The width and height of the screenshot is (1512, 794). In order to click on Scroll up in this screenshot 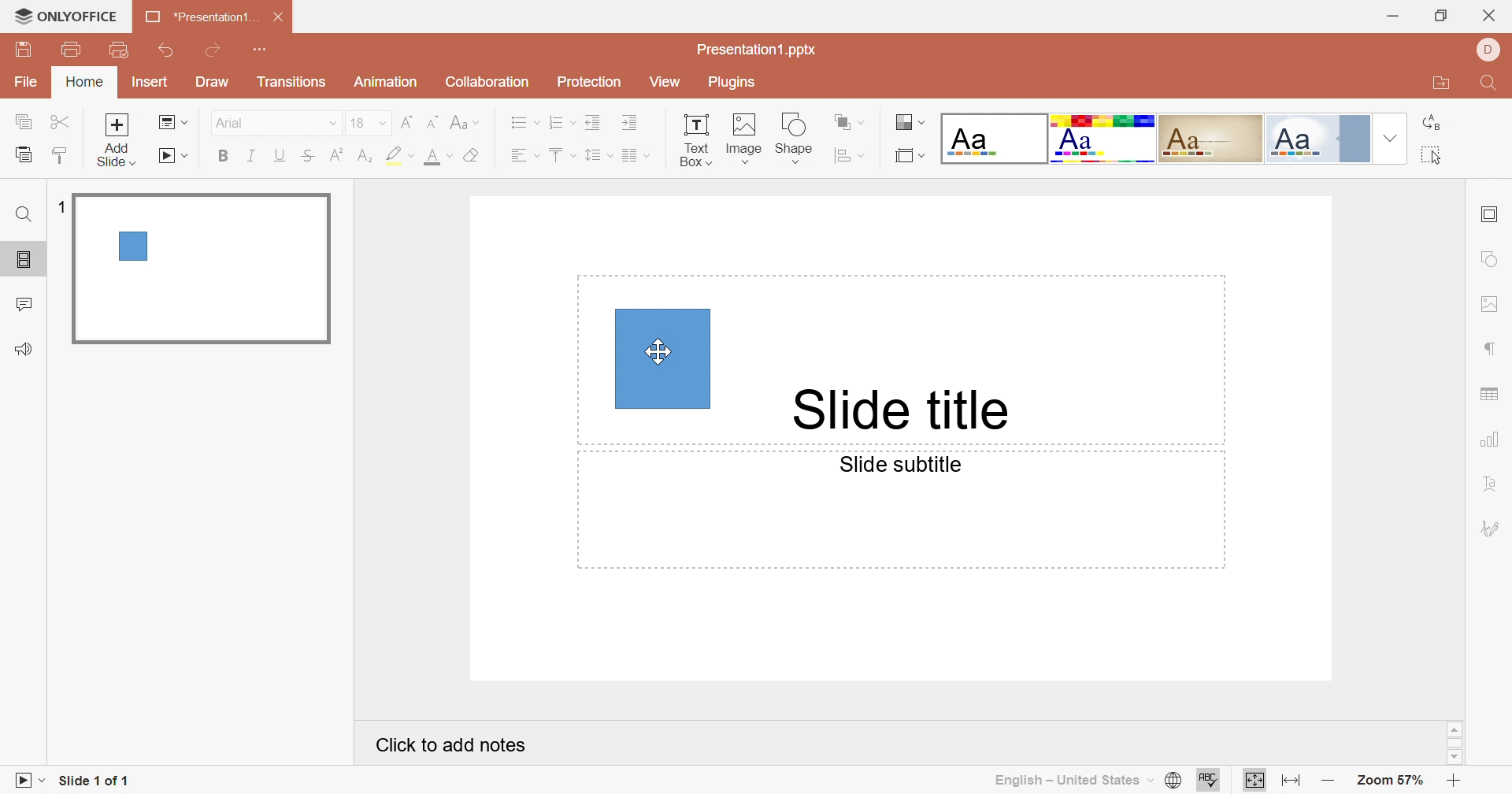, I will do `click(1455, 730)`.